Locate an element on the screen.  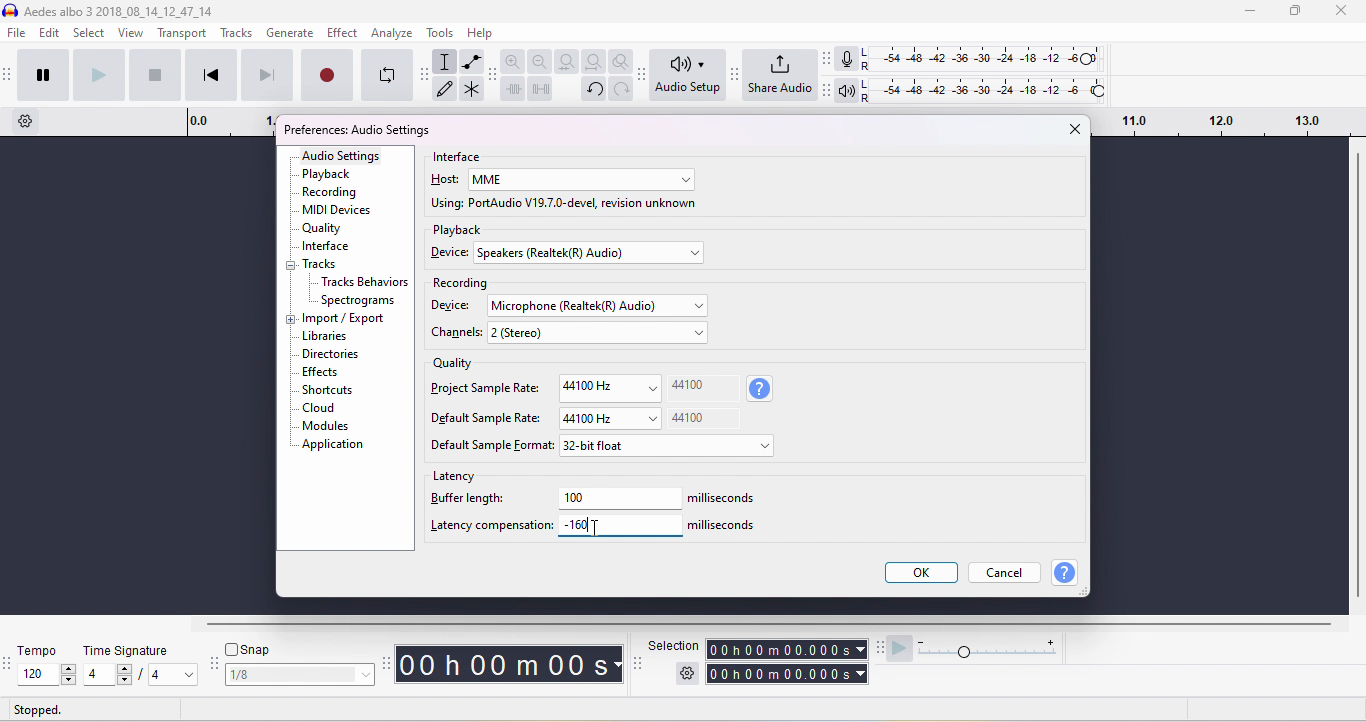
close is located at coordinates (1072, 128).